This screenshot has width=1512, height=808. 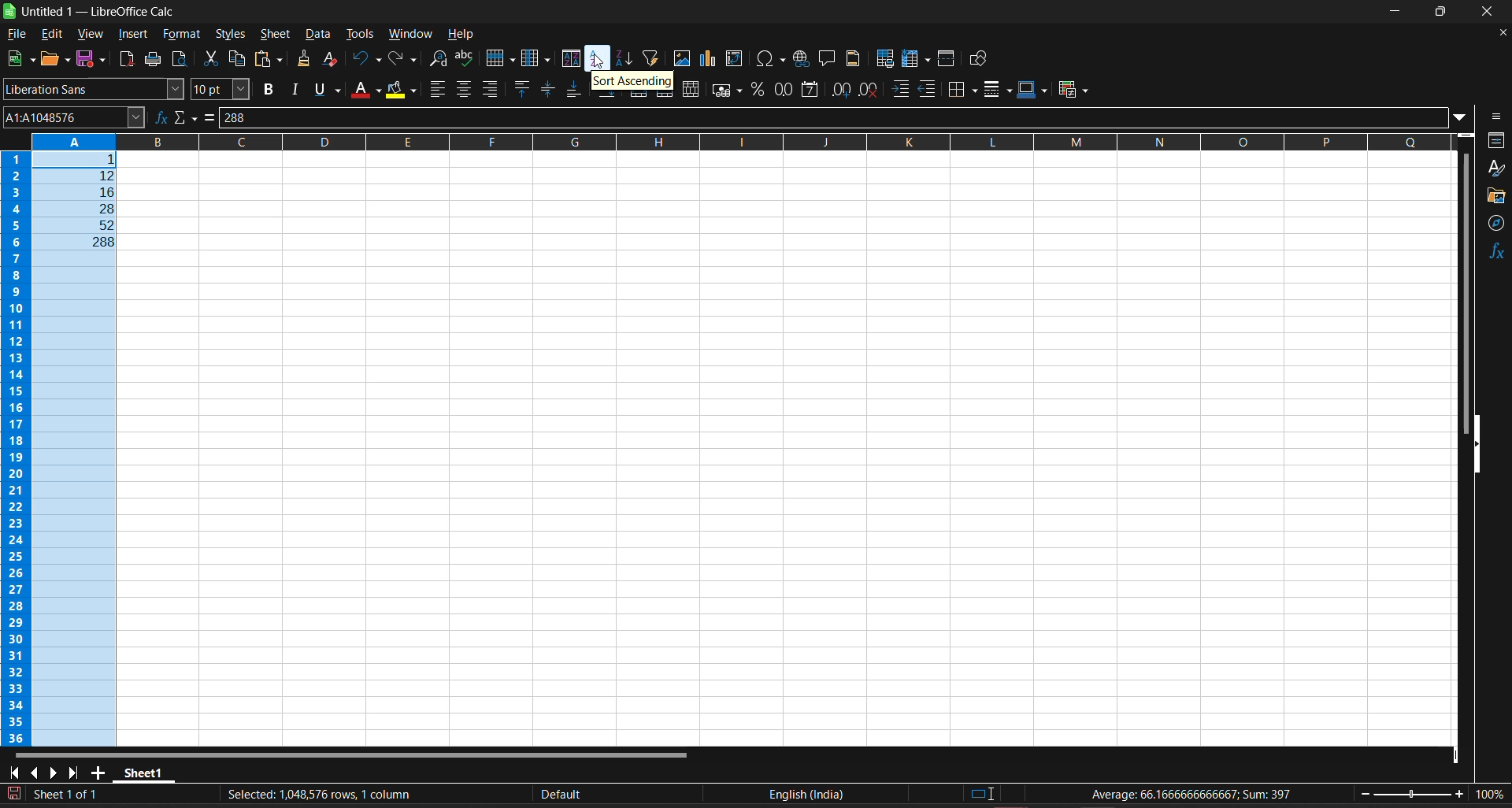 I want to click on define print area, so click(x=886, y=59).